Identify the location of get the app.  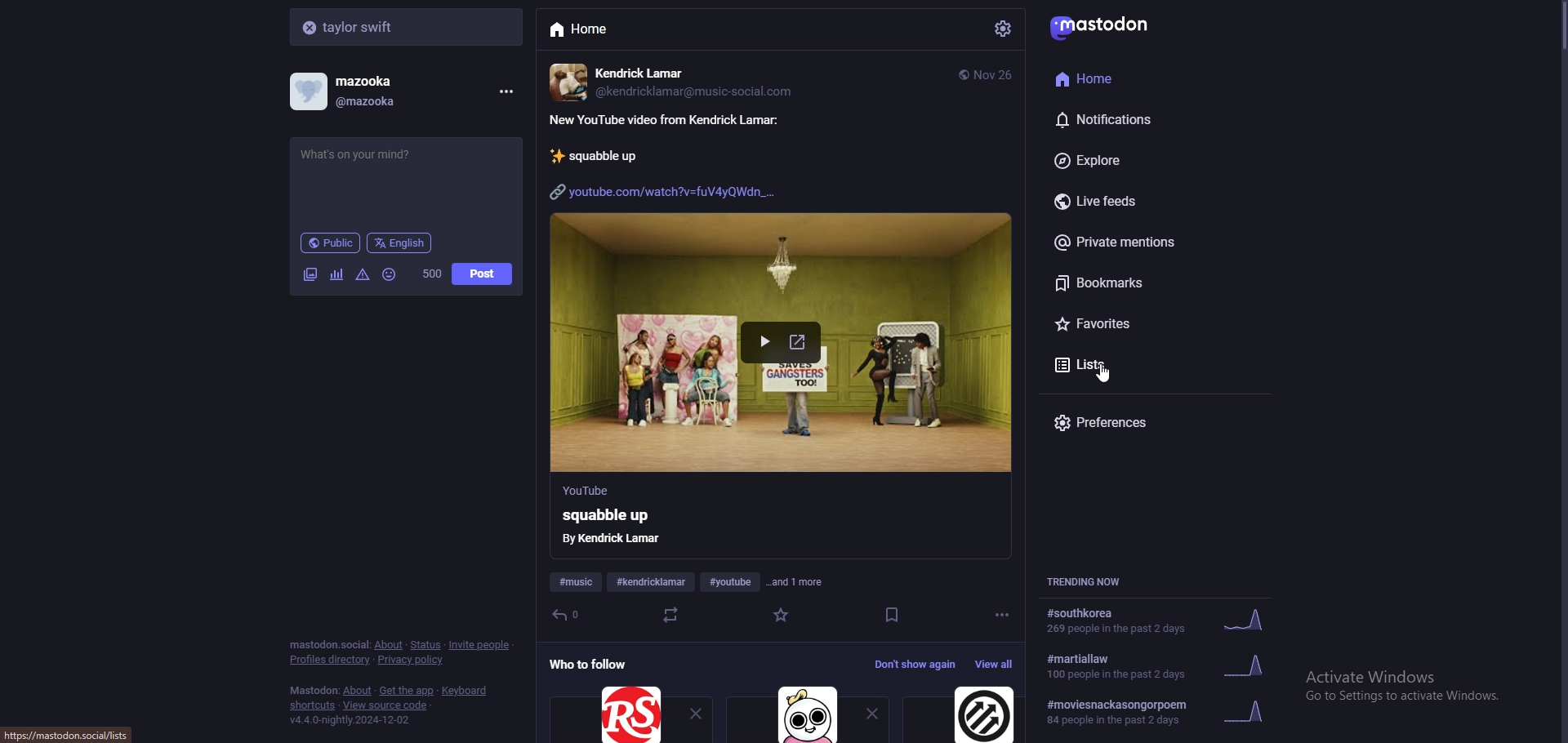
(407, 691).